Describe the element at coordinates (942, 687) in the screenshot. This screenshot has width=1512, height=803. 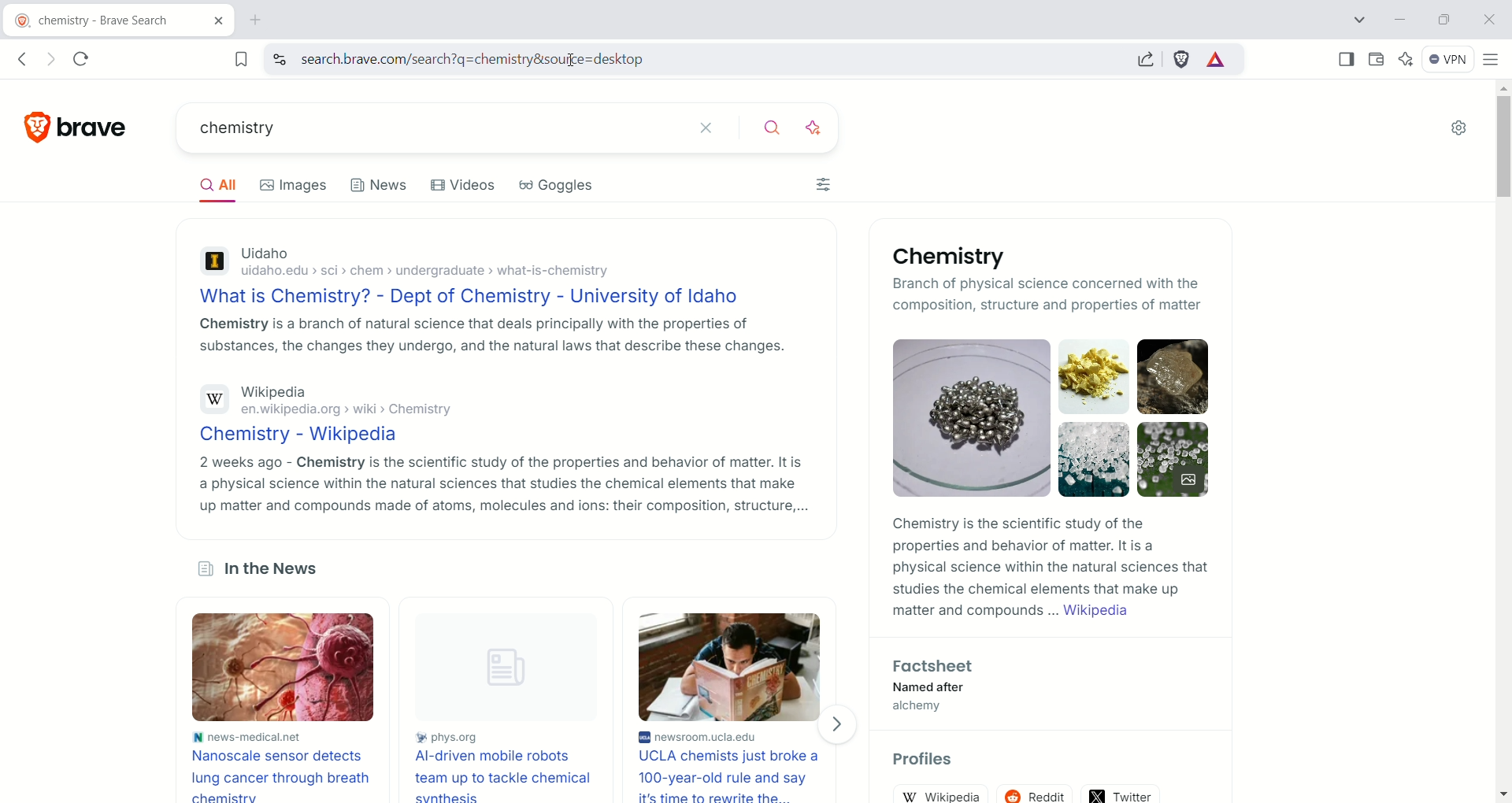
I see `Named after` at that location.